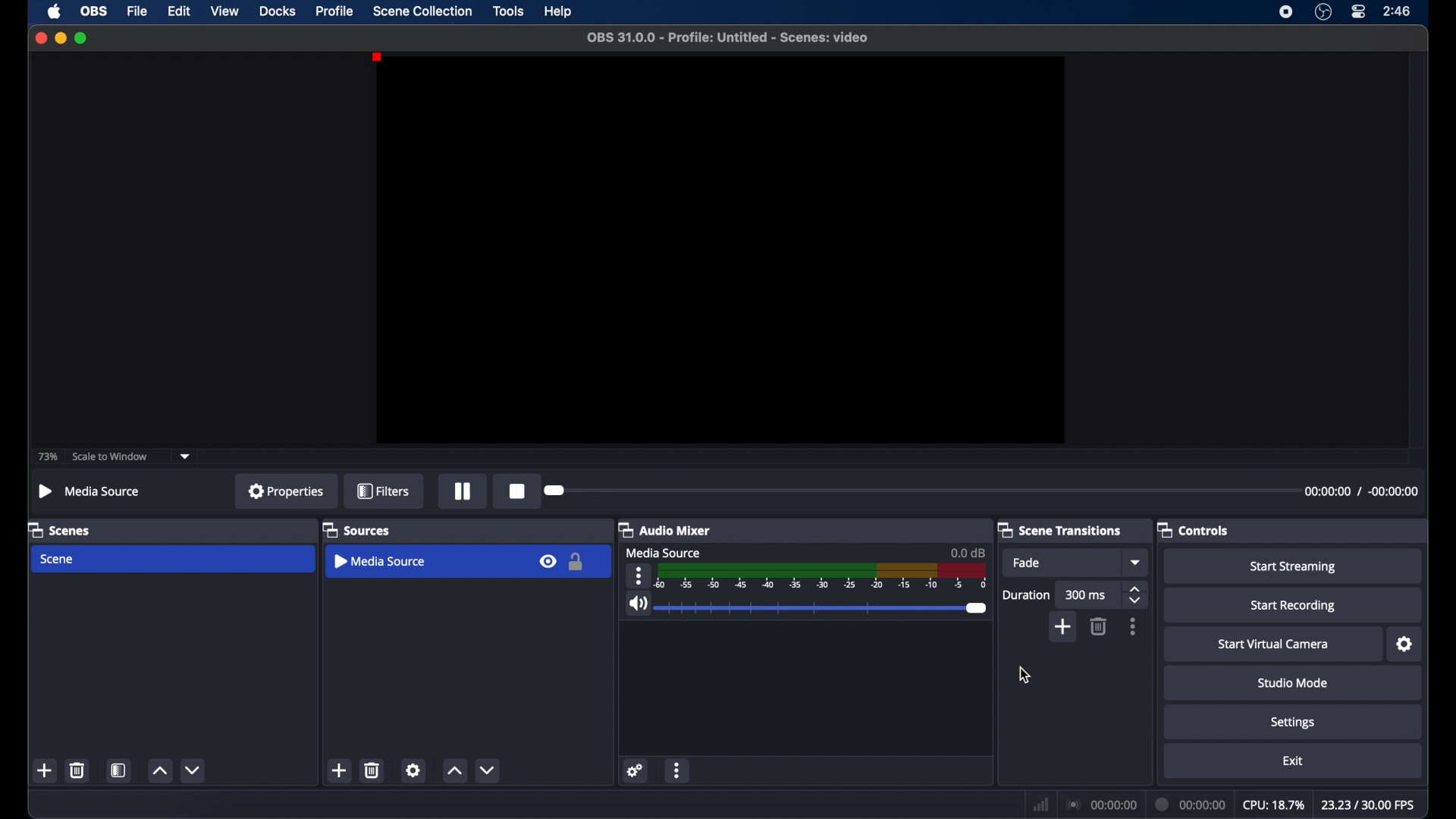 The width and height of the screenshot is (1456, 819). Describe the element at coordinates (359, 531) in the screenshot. I see `Sources` at that location.